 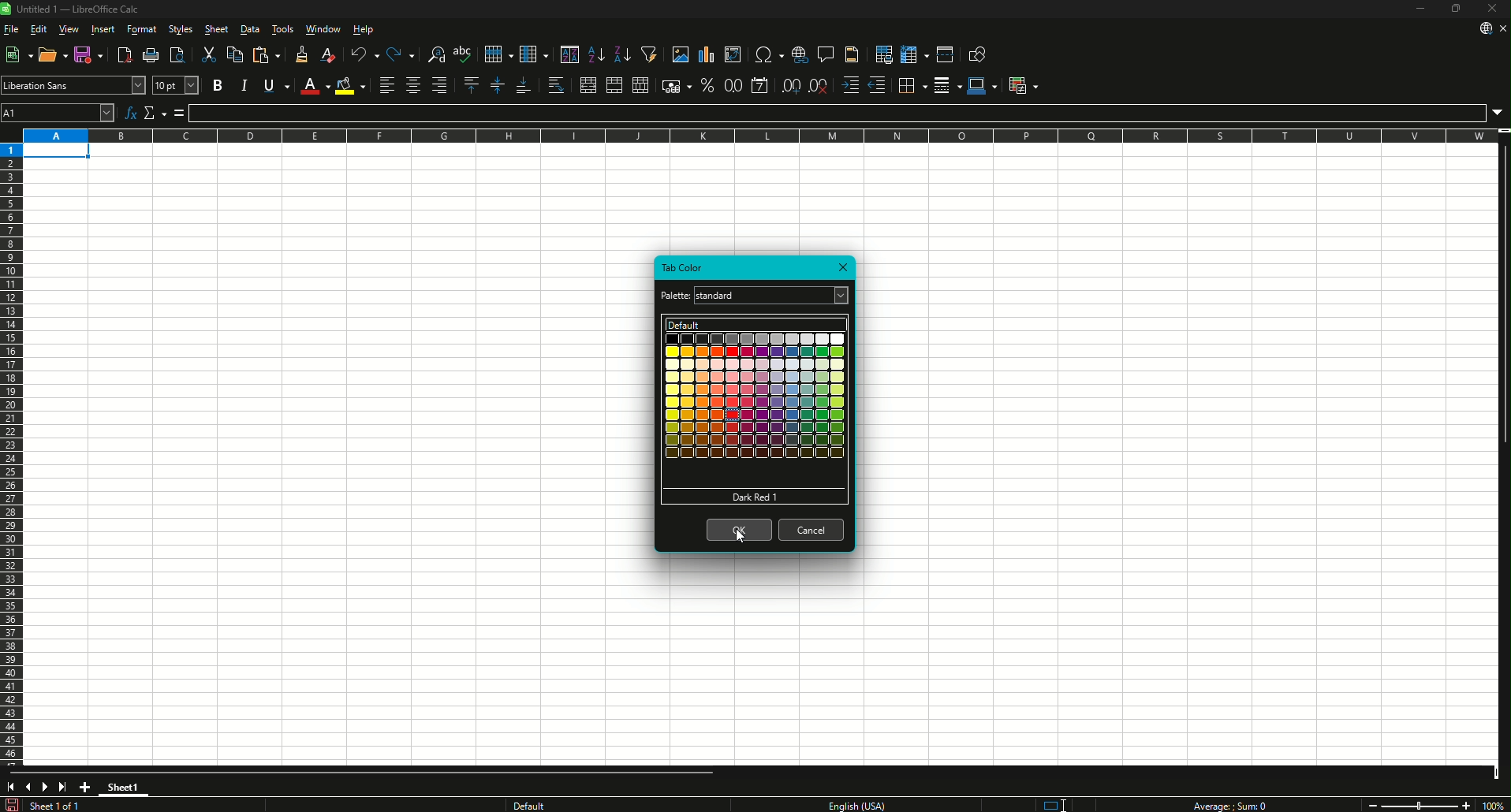 I want to click on Row, so click(x=498, y=54).